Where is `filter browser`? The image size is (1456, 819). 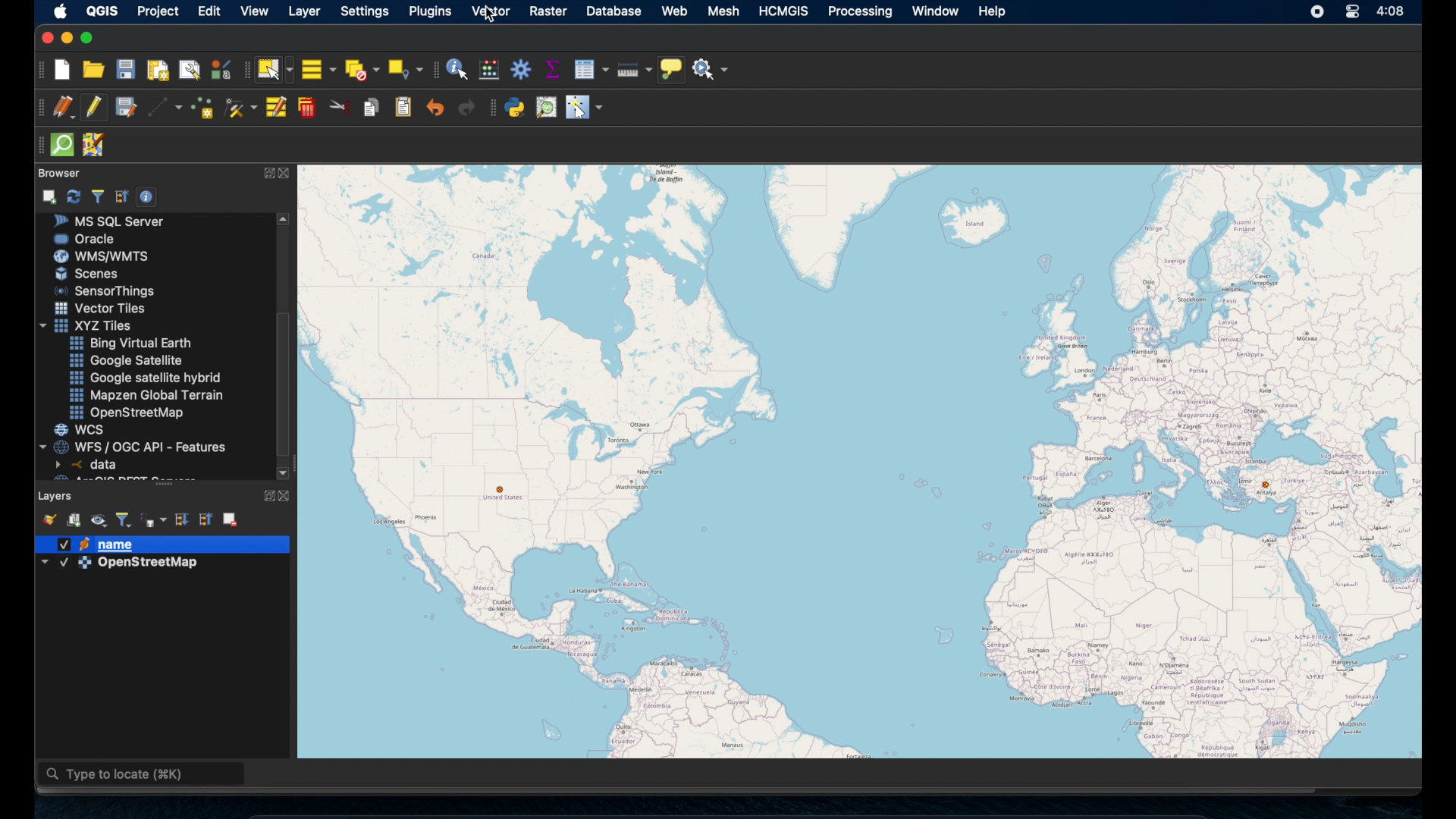 filter browser is located at coordinates (97, 196).